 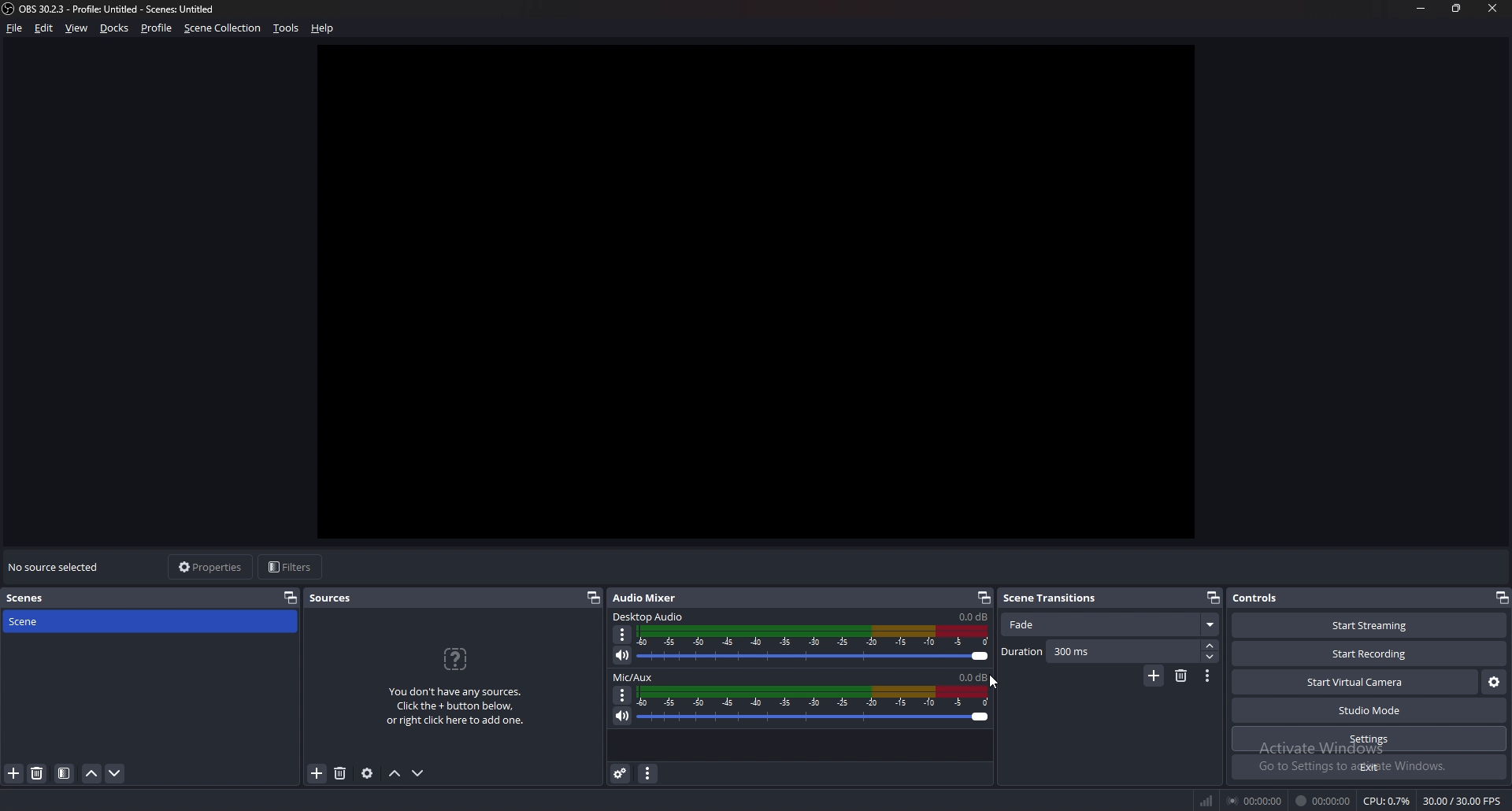 I want to click on fade, so click(x=1112, y=625).